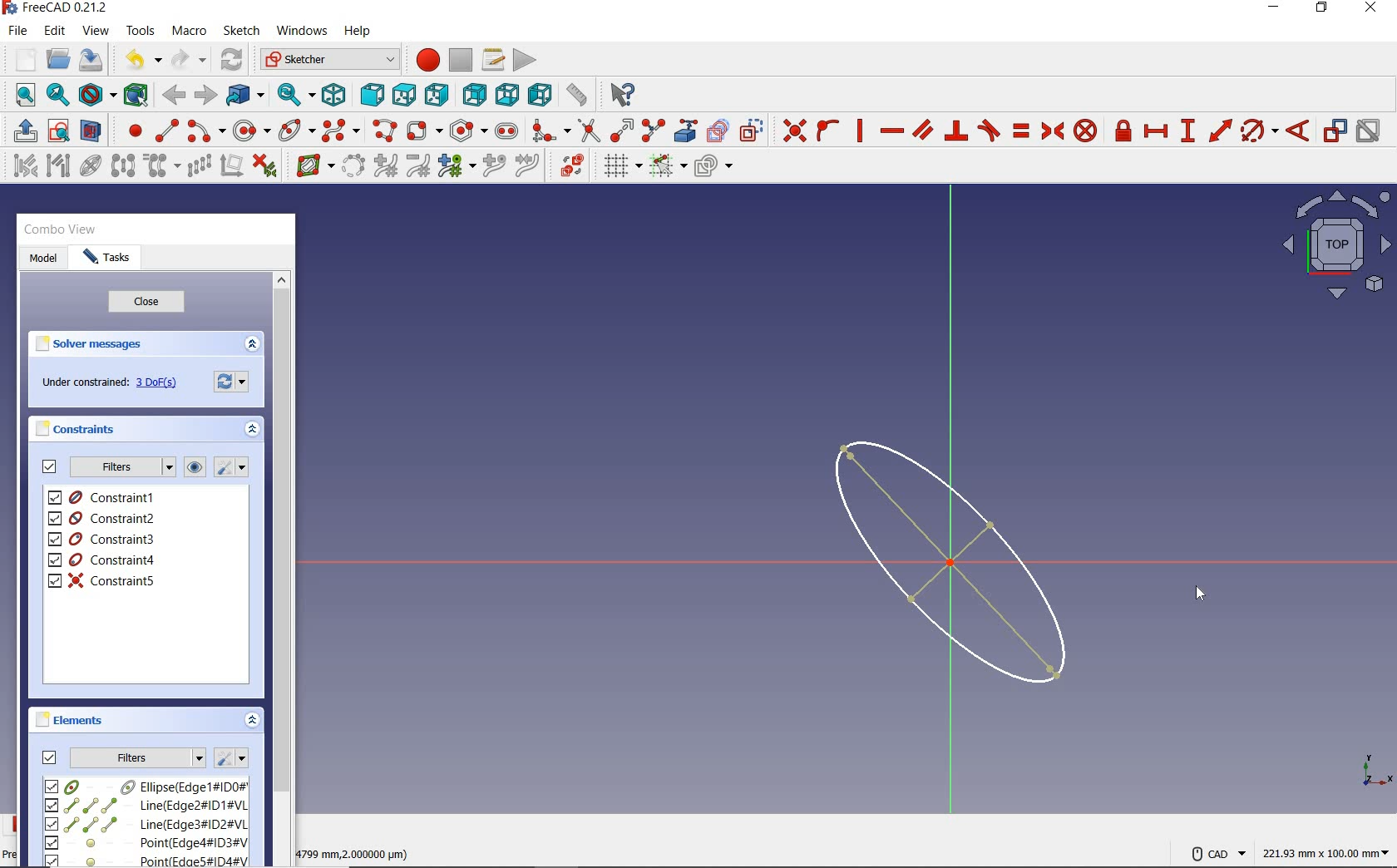 This screenshot has width=1397, height=868. What do you see at coordinates (146, 303) in the screenshot?
I see `close` at bounding box center [146, 303].